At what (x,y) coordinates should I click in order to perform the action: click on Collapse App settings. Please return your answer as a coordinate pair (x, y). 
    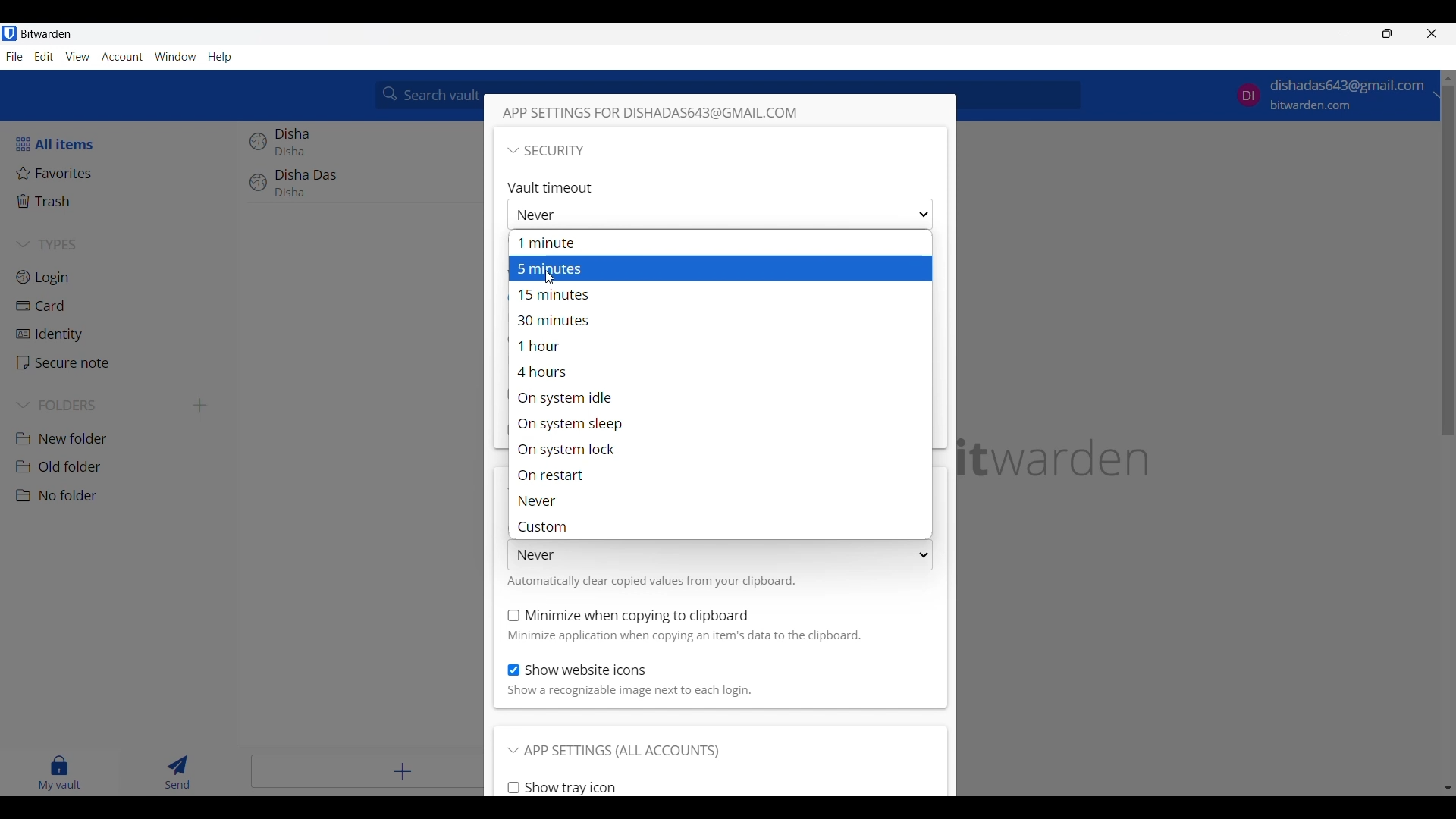
    Looking at the image, I should click on (613, 752).